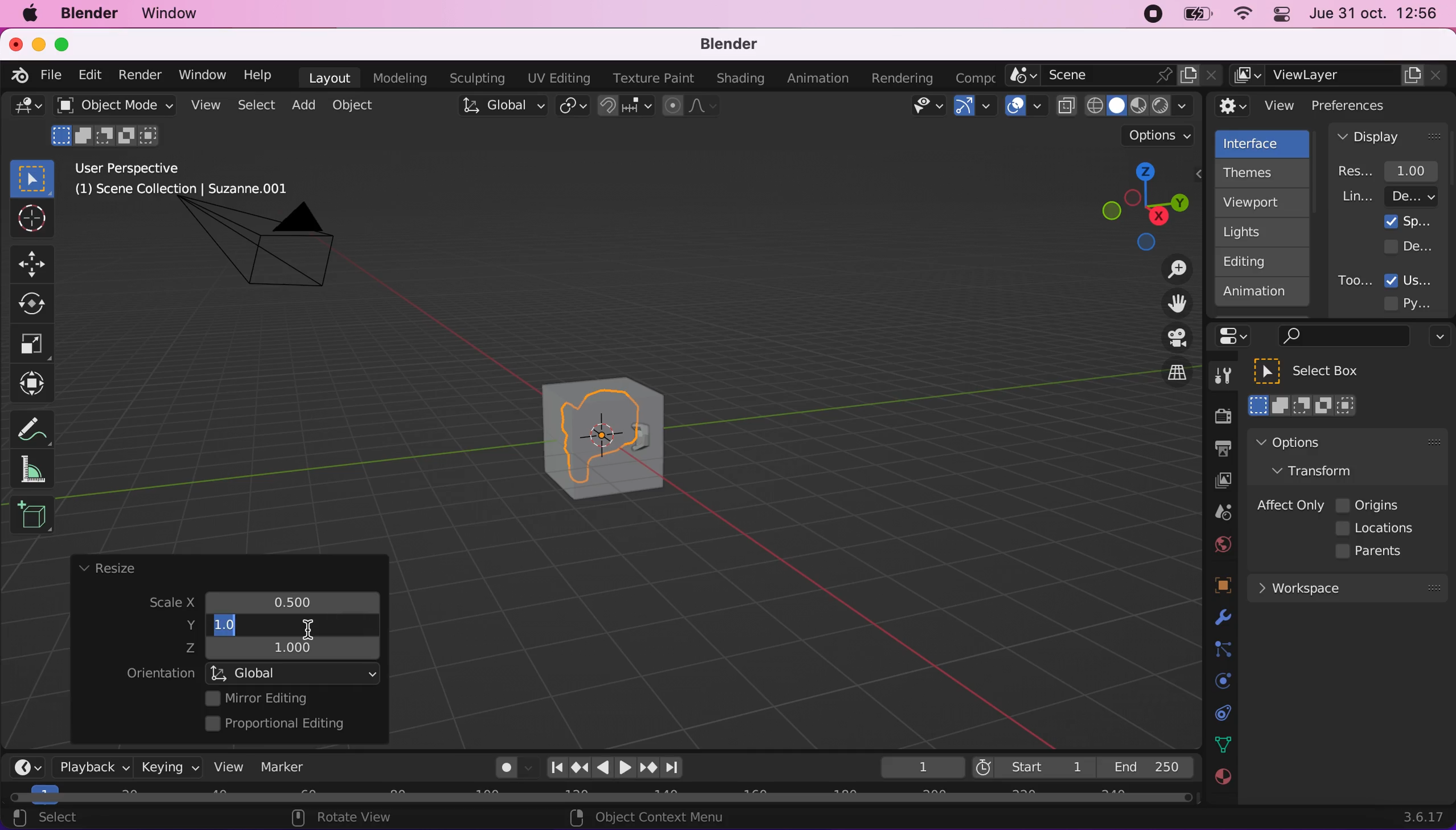  Describe the element at coordinates (58, 819) in the screenshot. I see `select` at that location.